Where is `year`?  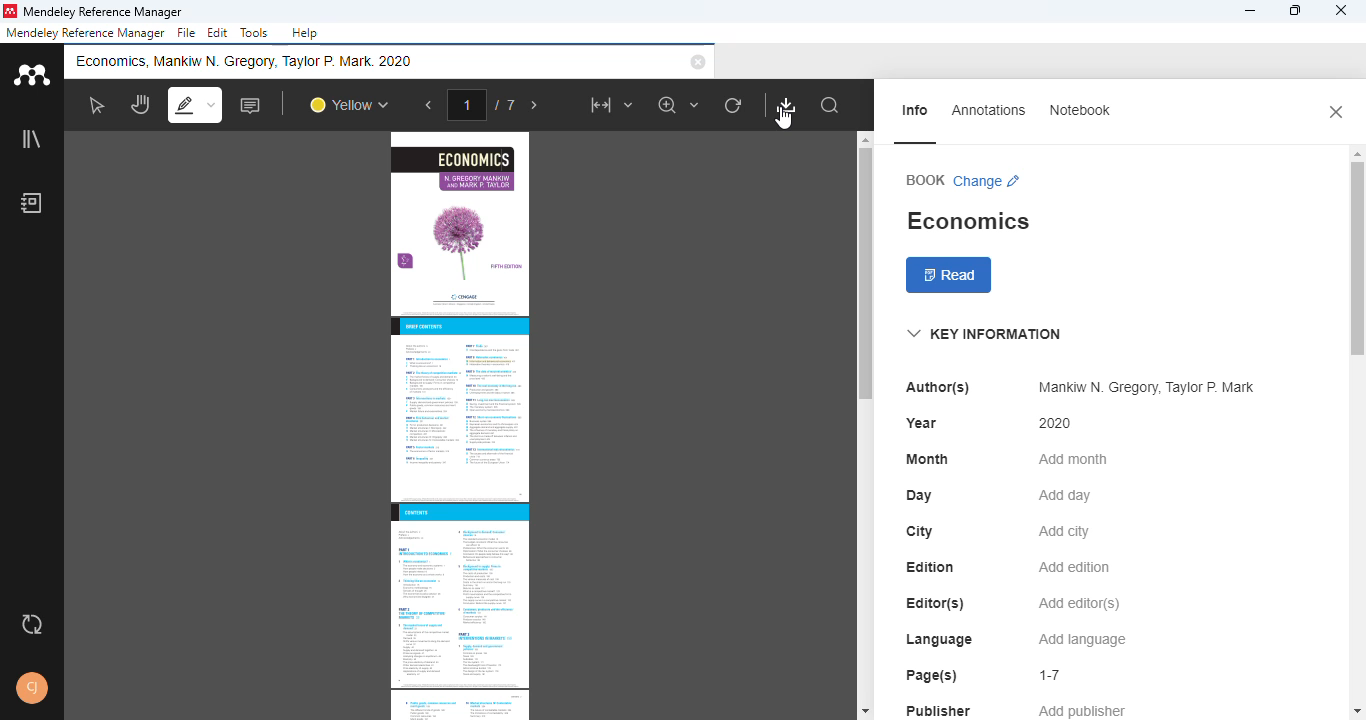 year is located at coordinates (921, 423).